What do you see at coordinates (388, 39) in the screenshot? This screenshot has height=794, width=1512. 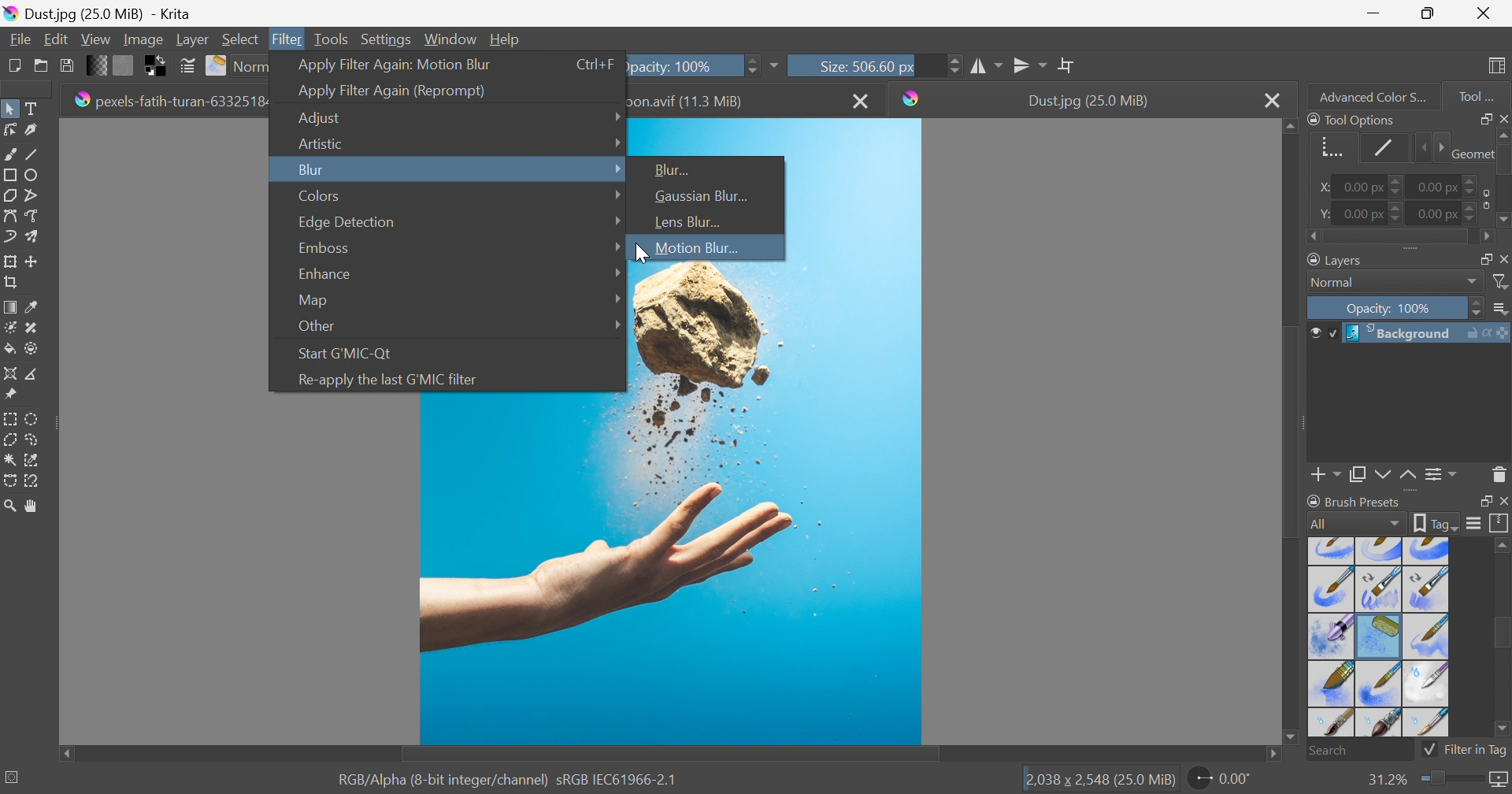 I see `Settings` at bounding box center [388, 39].